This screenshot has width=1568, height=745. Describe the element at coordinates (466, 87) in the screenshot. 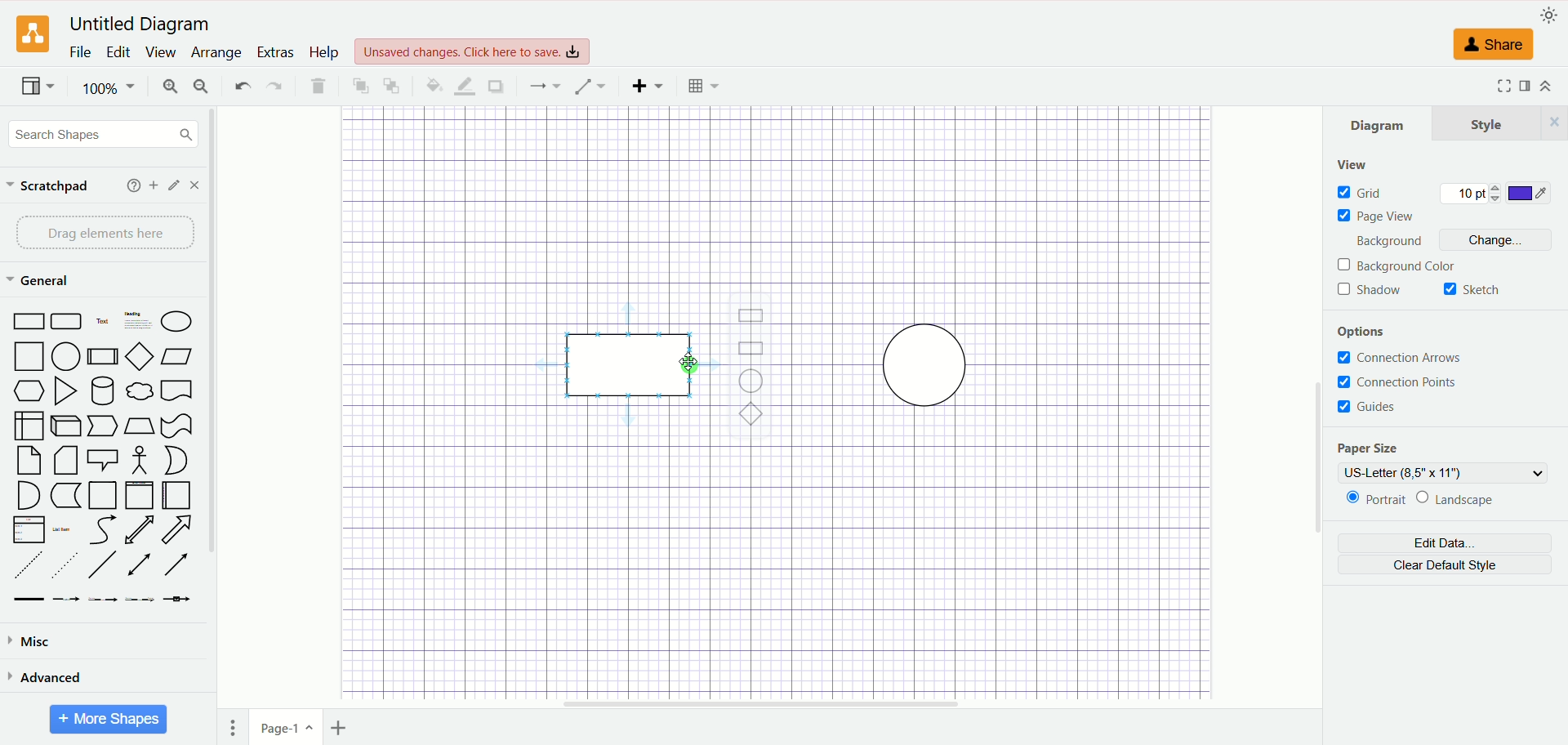

I see `line color` at that location.